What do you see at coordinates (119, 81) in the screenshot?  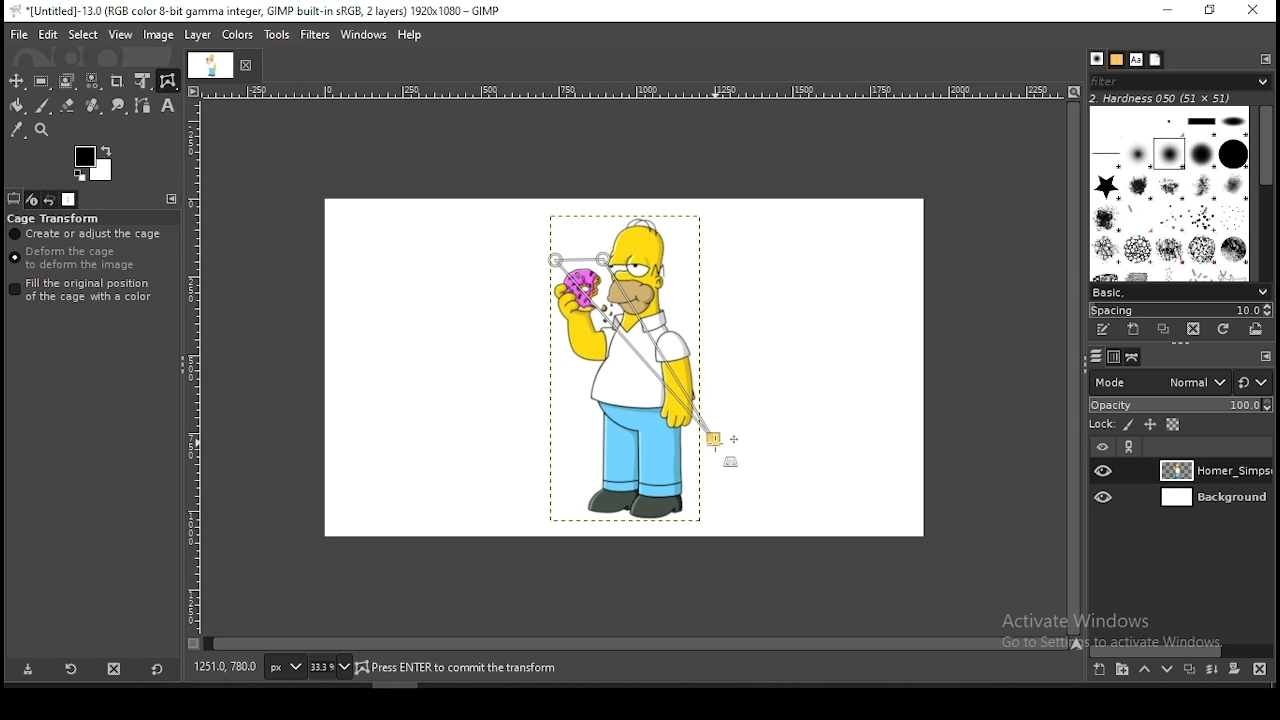 I see `crop tool` at bounding box center [119, 81].